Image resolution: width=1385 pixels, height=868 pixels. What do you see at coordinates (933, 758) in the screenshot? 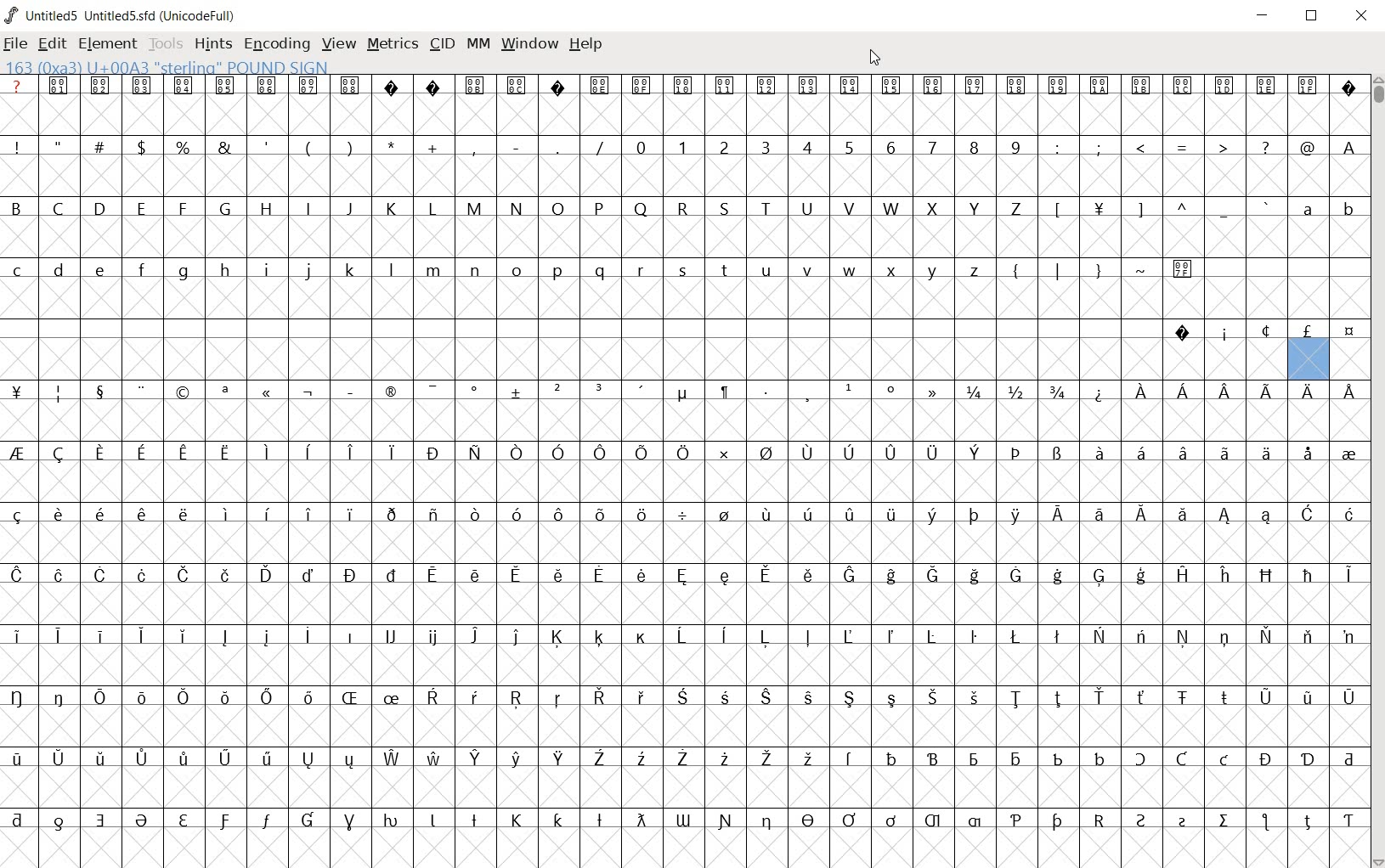
I see `Symbol` at bounding box center [933, 758].